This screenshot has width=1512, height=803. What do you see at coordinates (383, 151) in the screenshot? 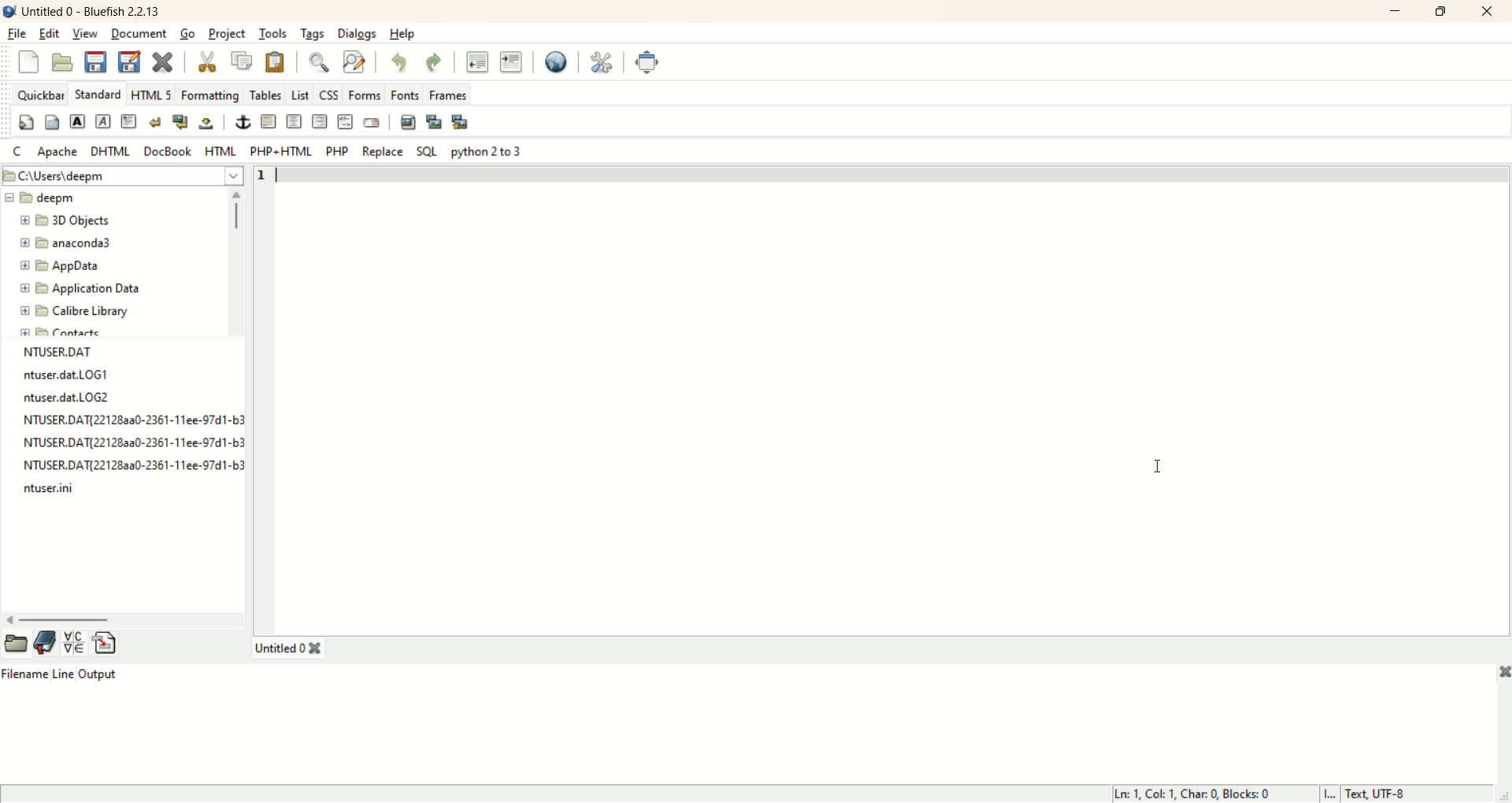
I see `replace` at bounding box center [383, 151].